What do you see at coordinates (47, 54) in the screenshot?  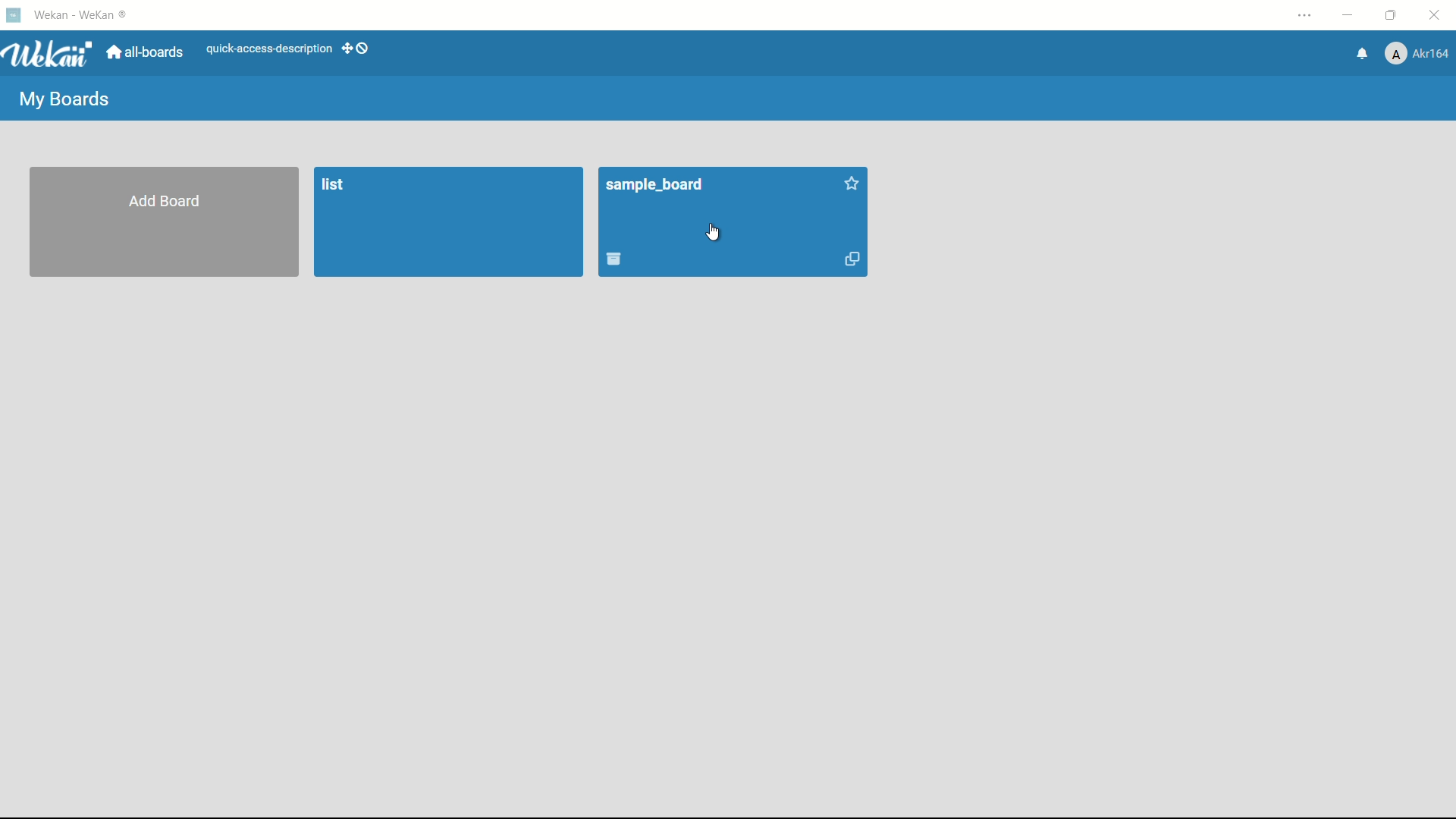 I see `app logo` at bounding box center [47, 54].